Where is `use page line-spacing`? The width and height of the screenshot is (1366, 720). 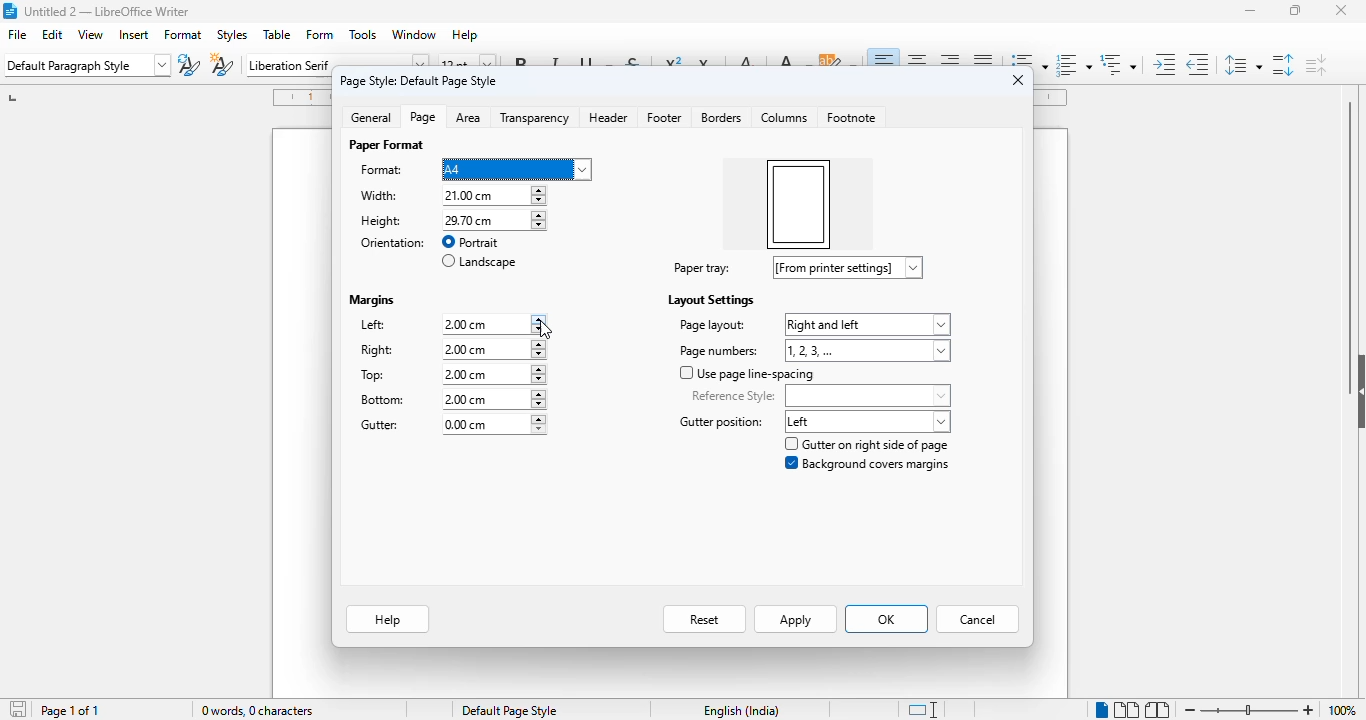
use page line-spacing is located at coordinates (748, 374).